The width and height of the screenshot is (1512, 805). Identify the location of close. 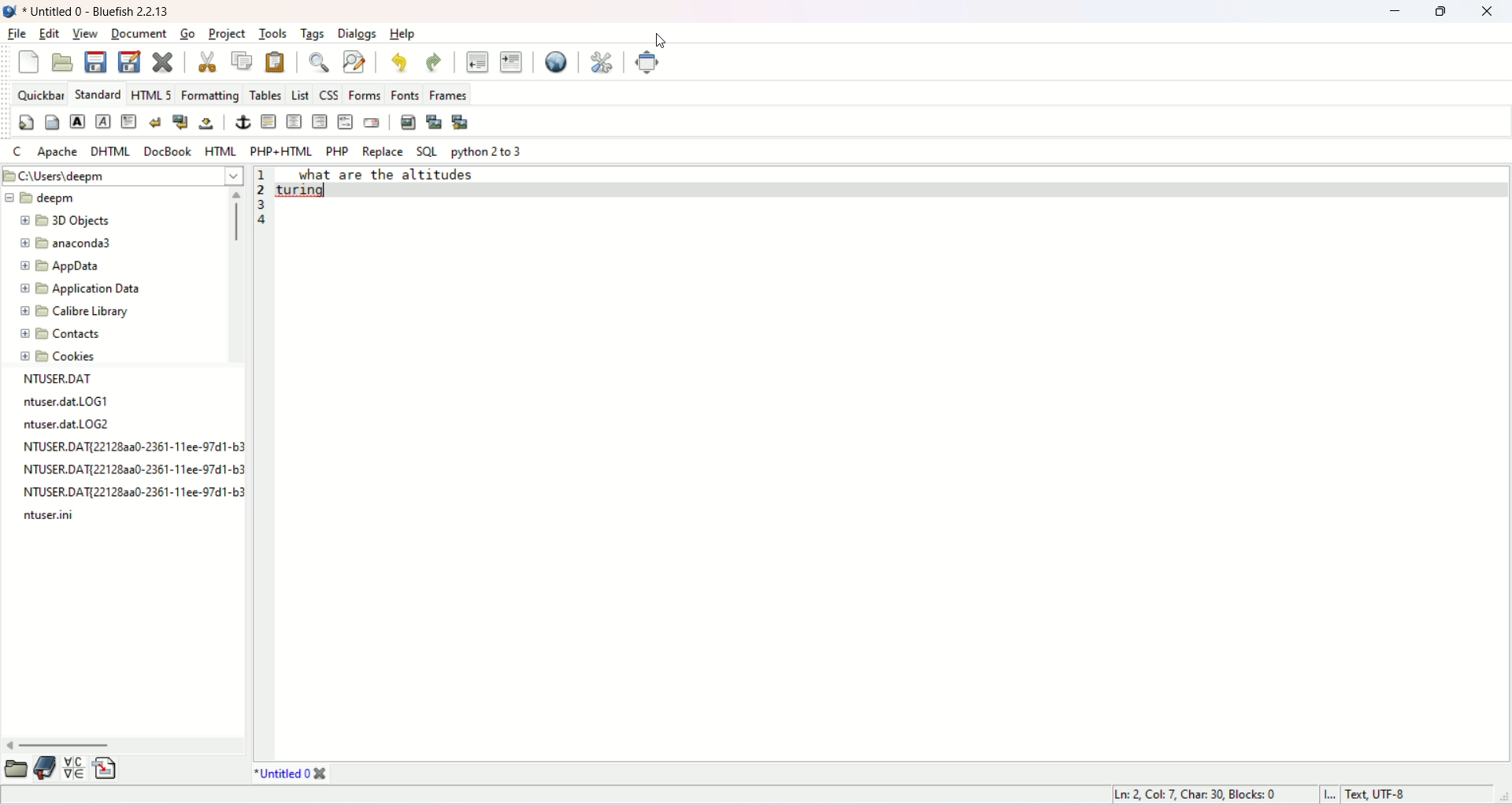
(1487, 12).